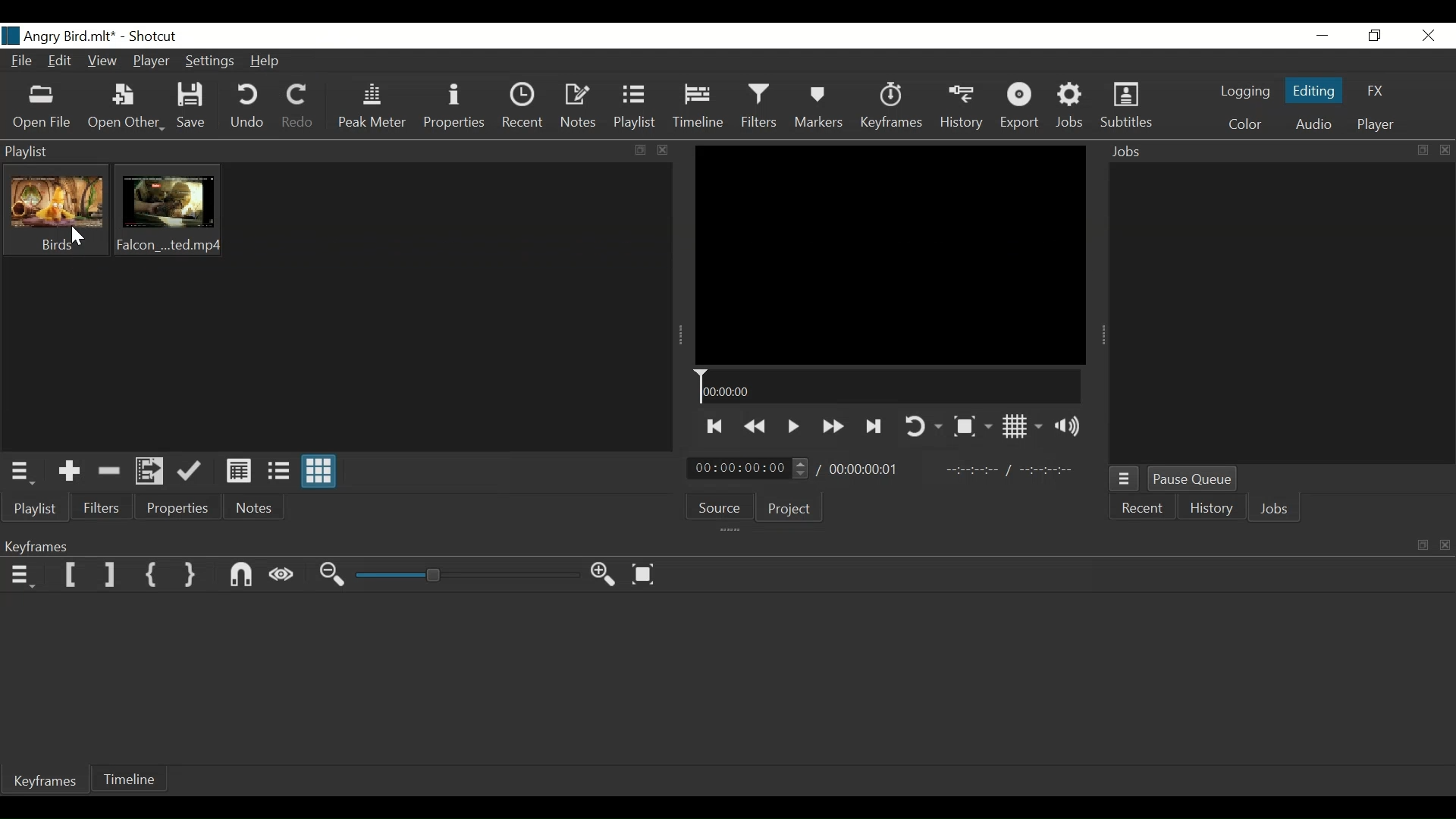  Describe the element at coordinates (42, 107) in the screenshot. I see `Open File` at that location.